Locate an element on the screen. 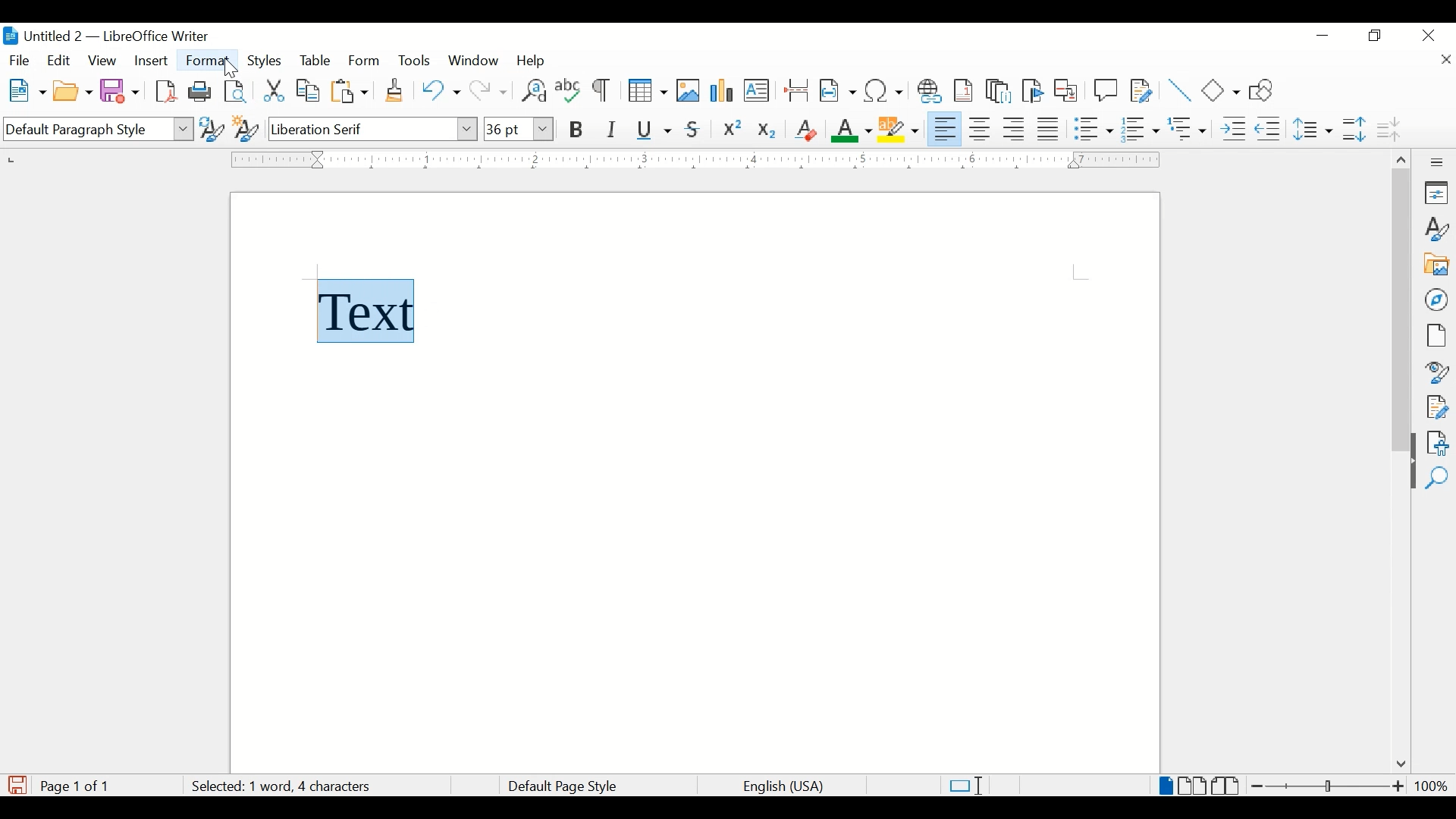 The width and height of the screenshot is (1456, 819). set line spacing is located at coordinates (1314, 129).